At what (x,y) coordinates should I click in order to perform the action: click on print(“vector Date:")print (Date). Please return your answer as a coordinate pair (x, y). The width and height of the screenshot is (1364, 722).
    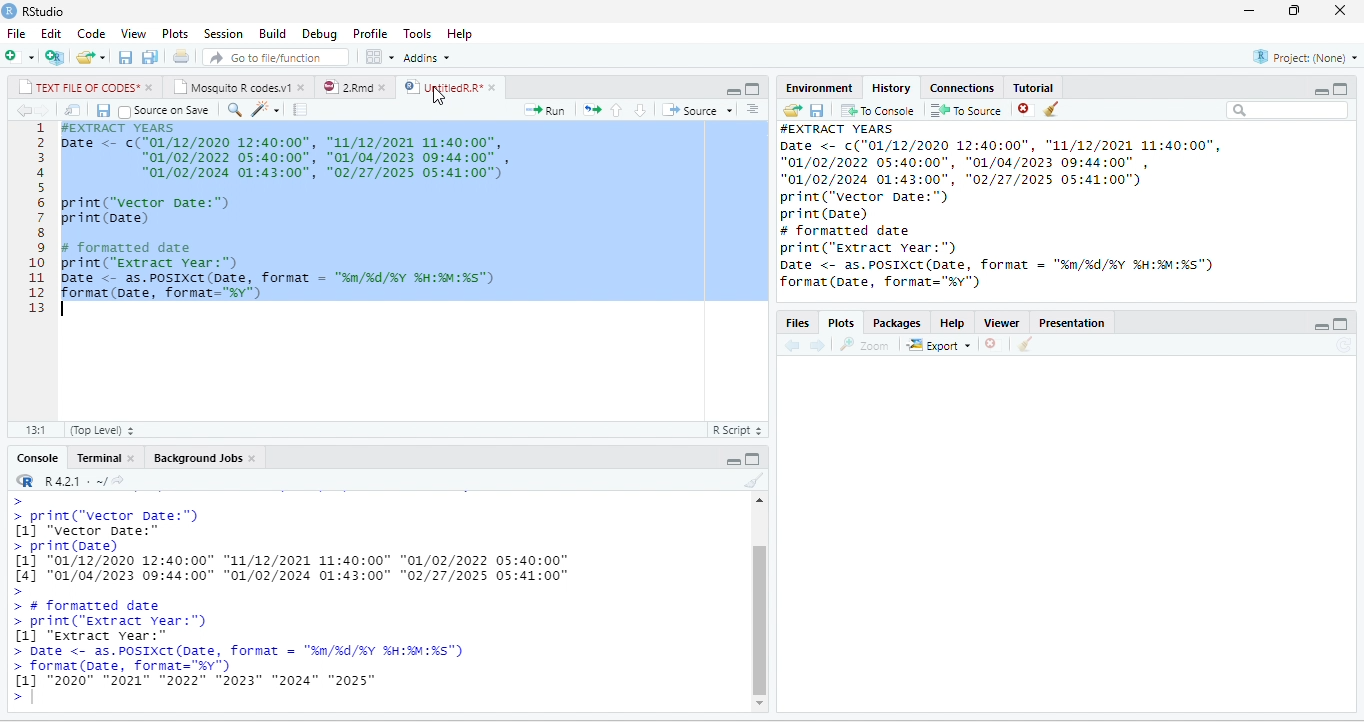
    Looking at the image, I should click on (145, 210).